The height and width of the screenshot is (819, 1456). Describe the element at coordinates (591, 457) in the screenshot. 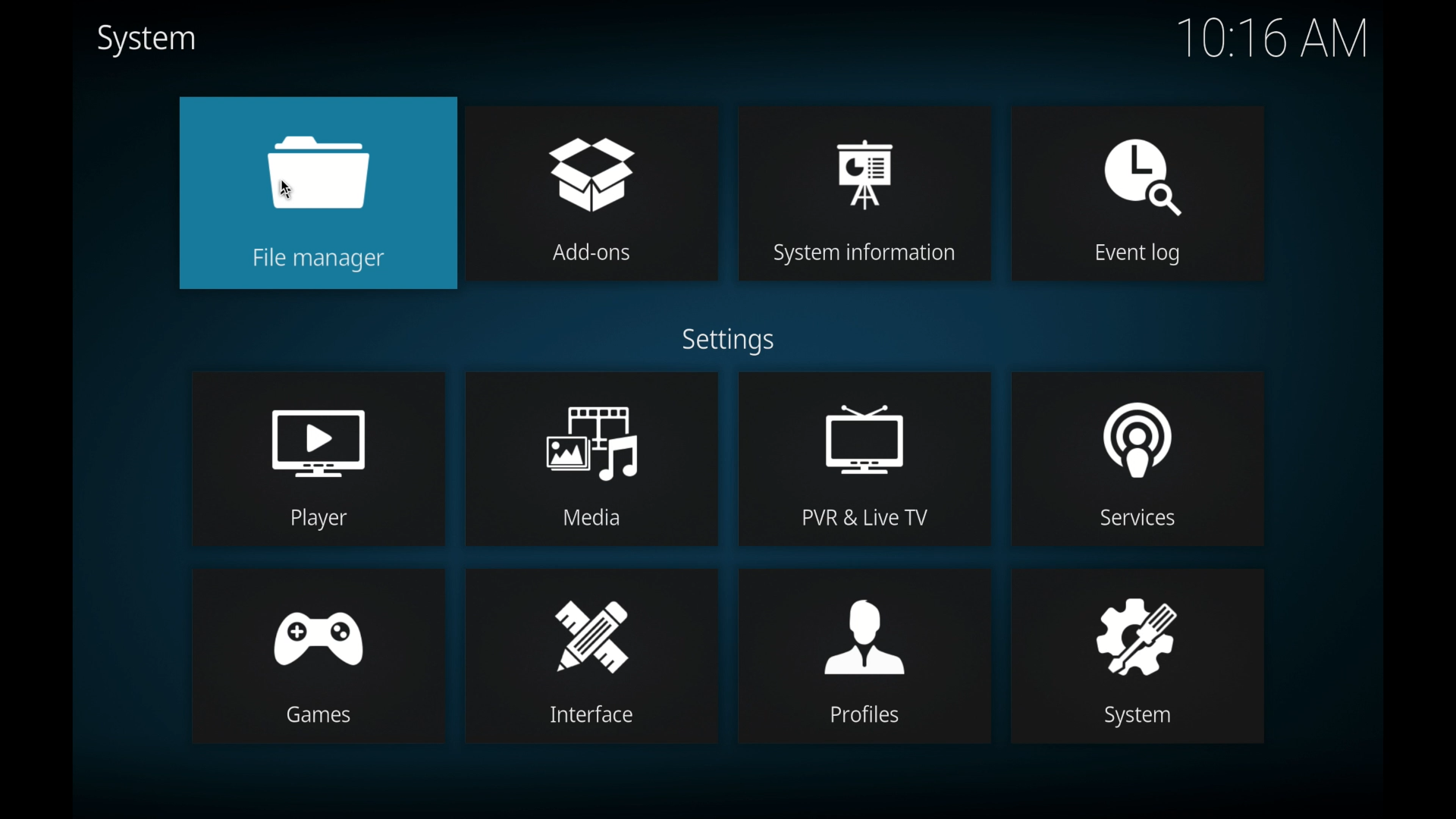

I see `media` at that location.